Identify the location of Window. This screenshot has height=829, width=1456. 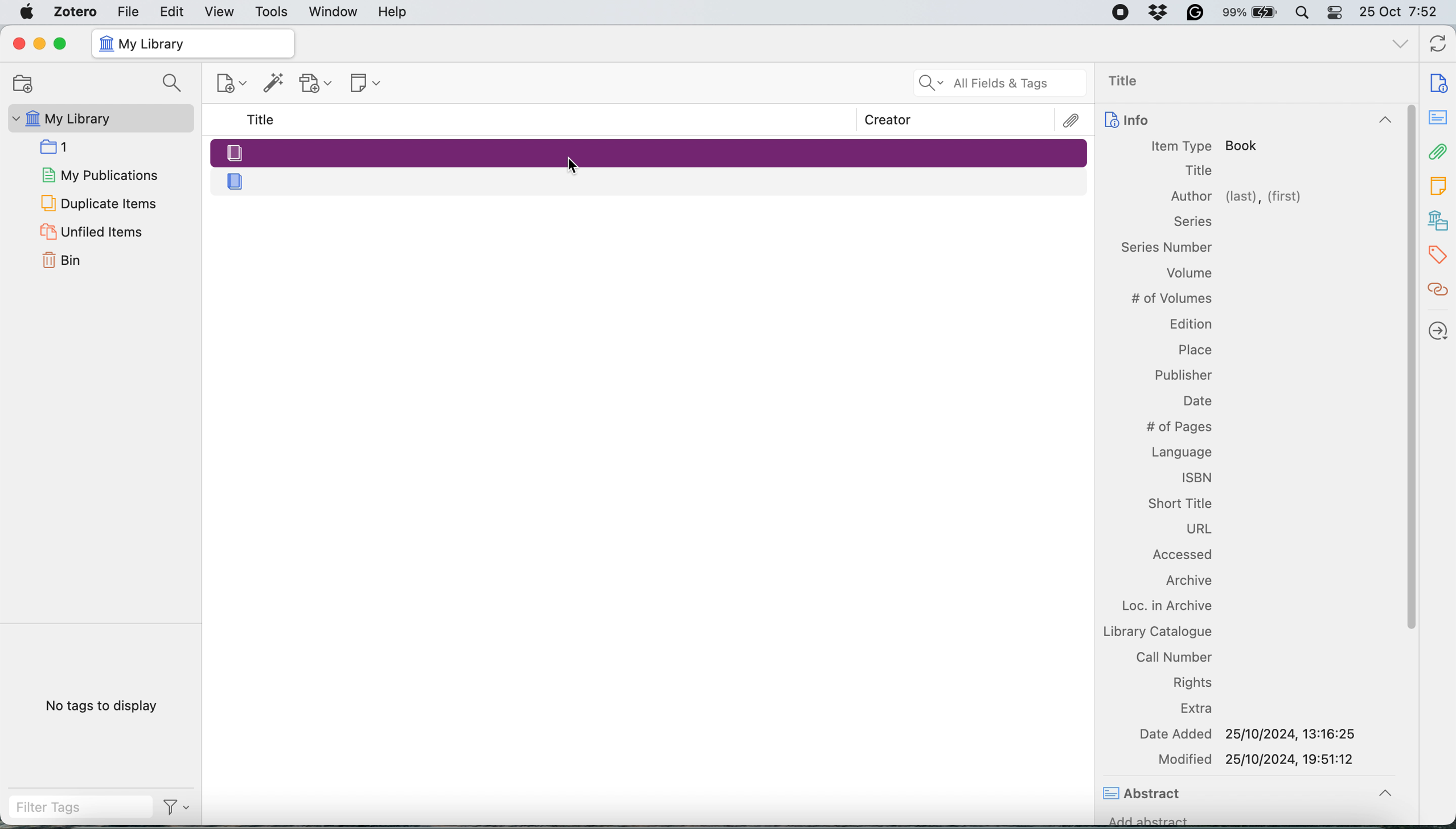
(334, 12).